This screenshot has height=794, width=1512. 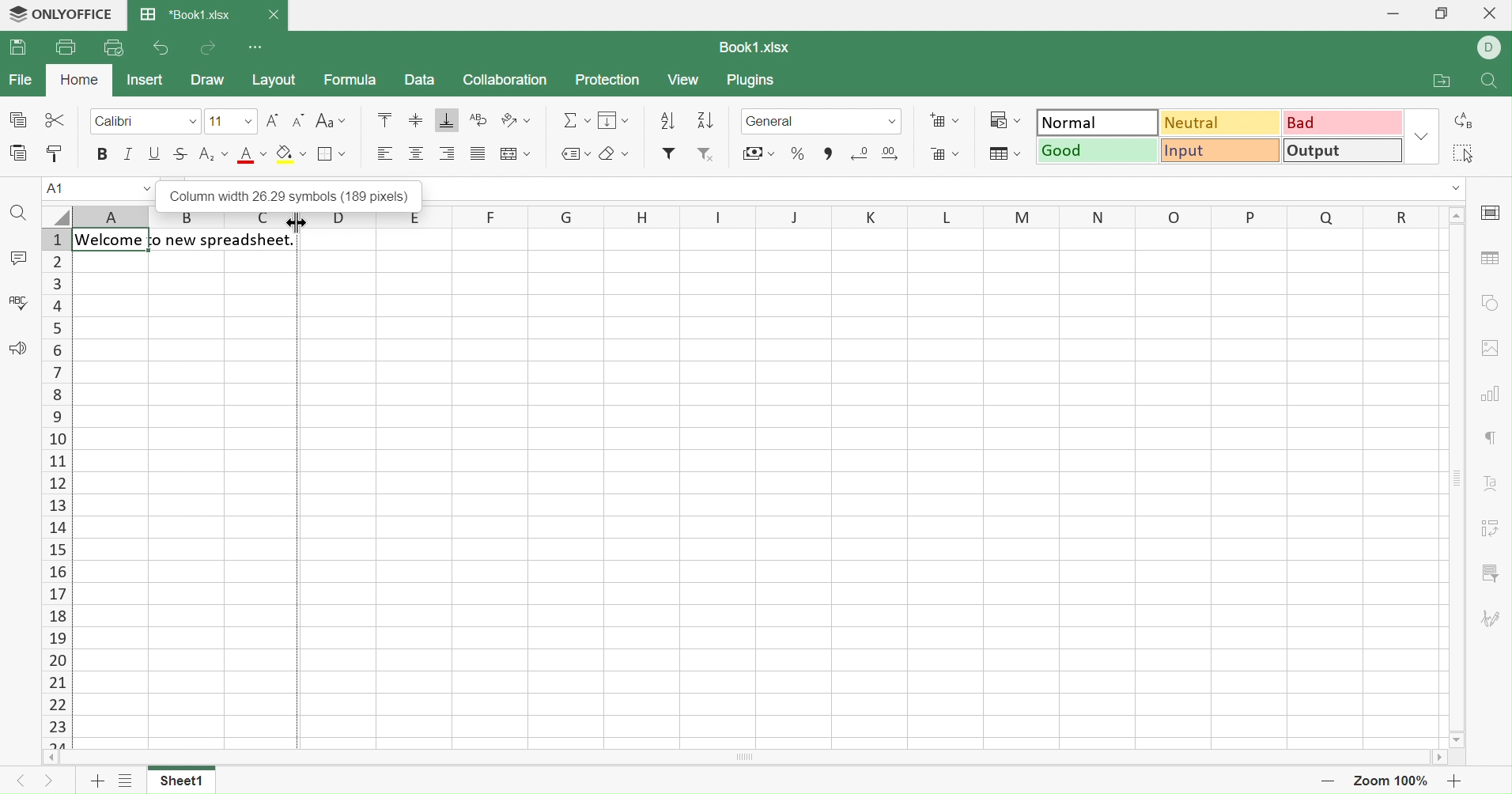 What do you see at coordinates (18, 258) in the screenshot?
I see `Comments` at bounding box center [18, 258].